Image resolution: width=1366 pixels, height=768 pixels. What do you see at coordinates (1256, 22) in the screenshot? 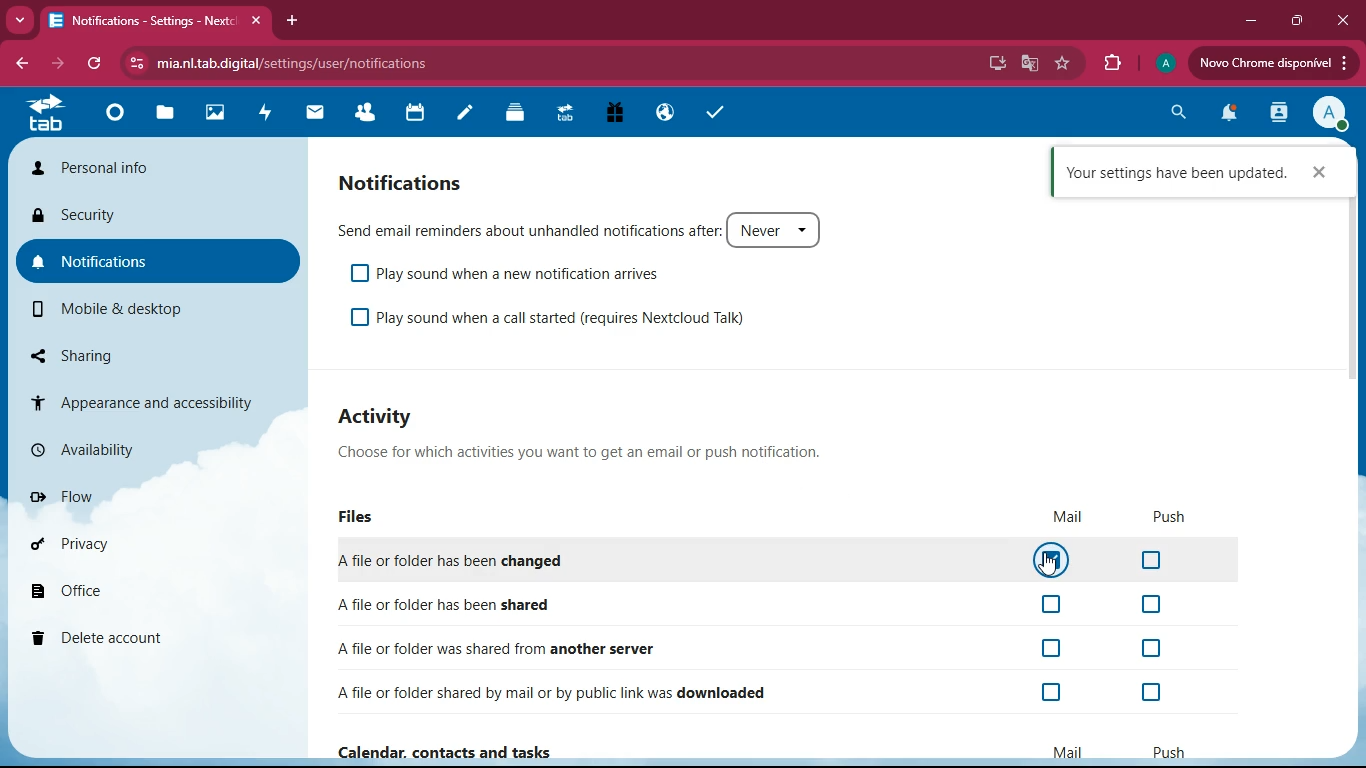
I see `minimize` at bounding box center [1256, 22].